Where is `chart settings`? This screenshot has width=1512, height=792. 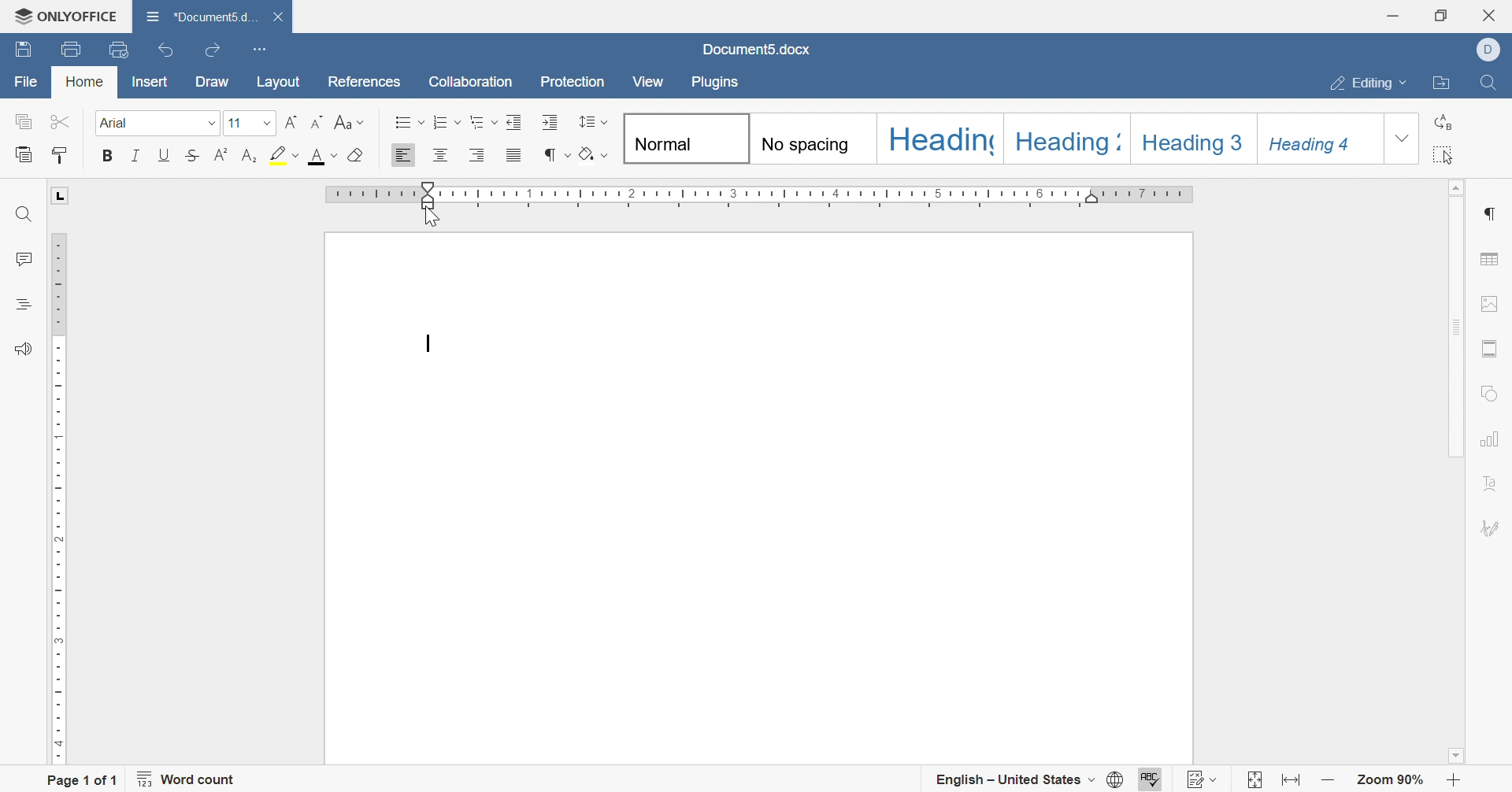 chart settings is located at coordinates (1494, 440).